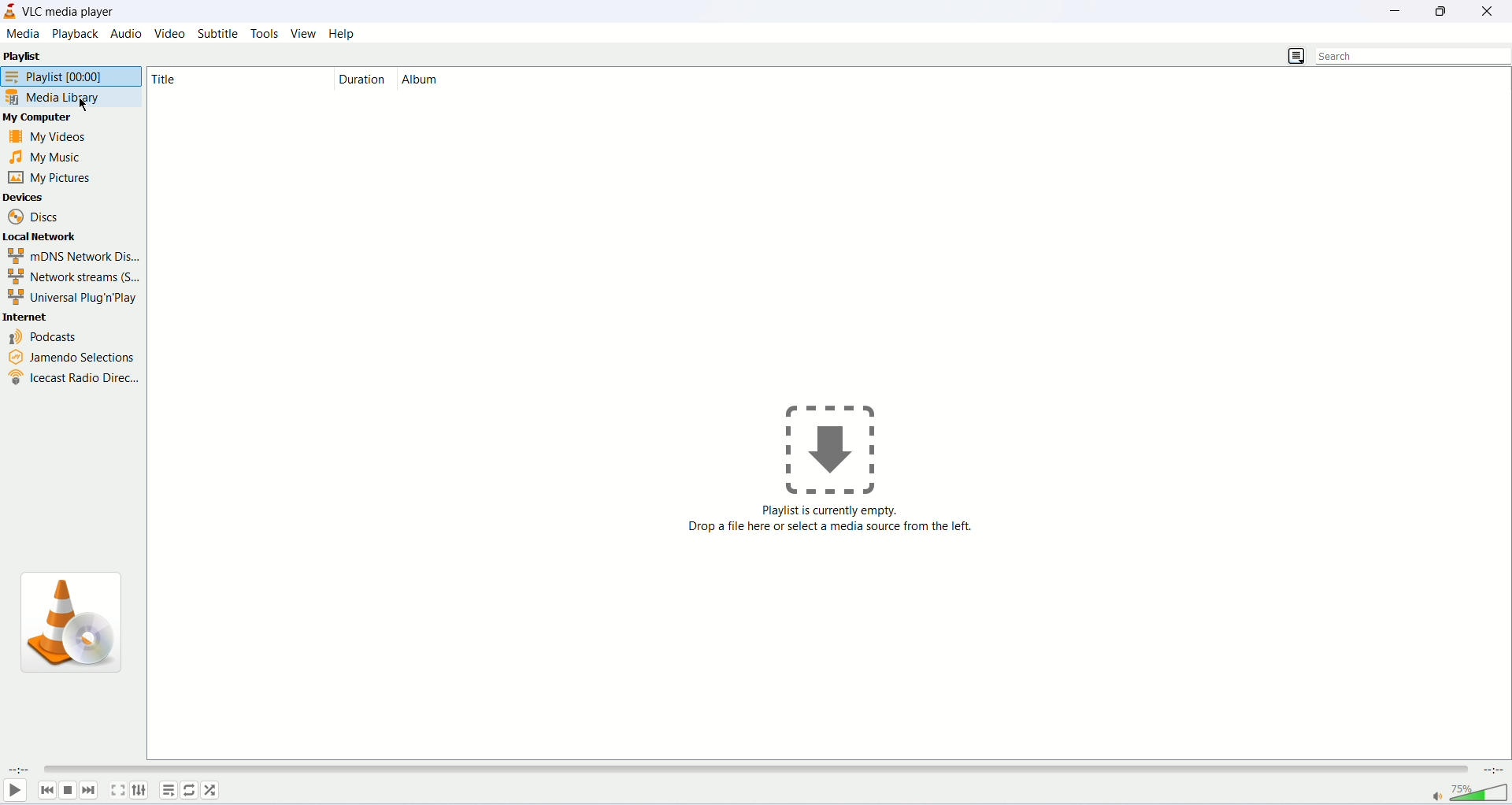 Image resolution: width=1512 pixels, height=805 pixels. I want to click on tools, so click(265, 34).